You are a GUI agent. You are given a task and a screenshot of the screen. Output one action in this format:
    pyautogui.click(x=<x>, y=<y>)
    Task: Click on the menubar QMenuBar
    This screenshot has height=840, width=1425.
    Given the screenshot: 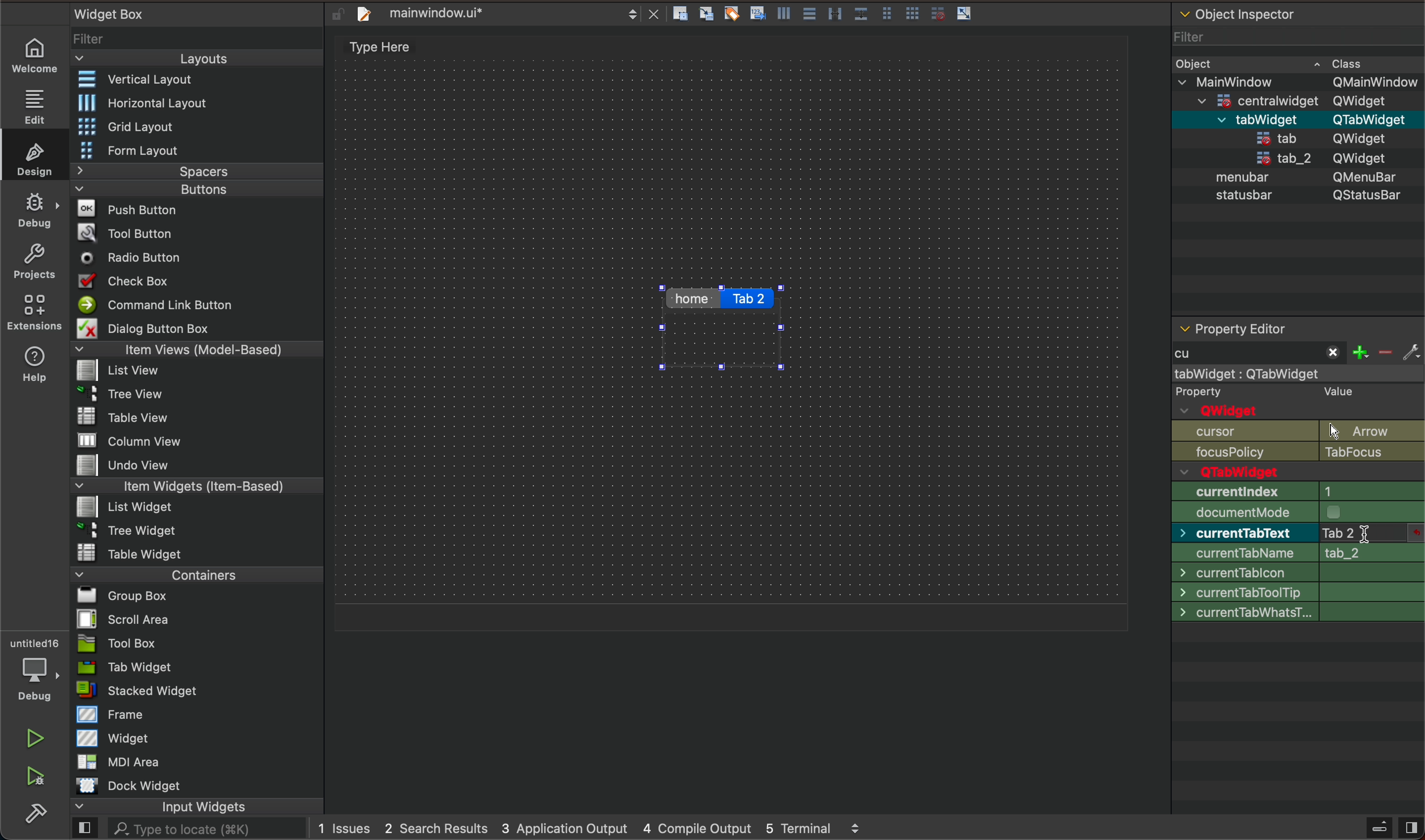 What is the action you would take?
    pyautogui.click(x=1295, y=118)
    